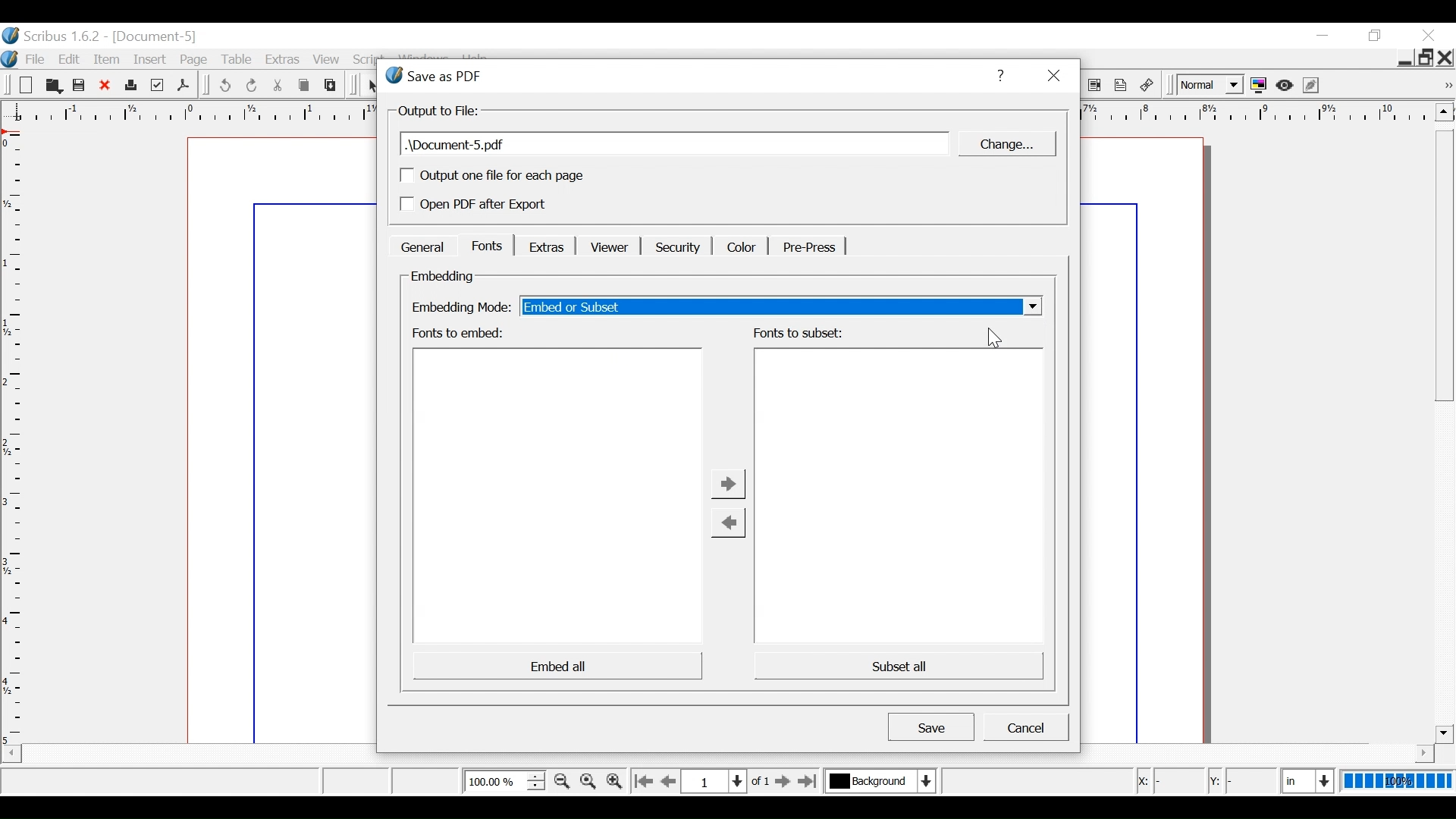  What do you see at coordinates (1053, 77) in the screenshot?
I see `Close` at bounding box center [1053, 77].